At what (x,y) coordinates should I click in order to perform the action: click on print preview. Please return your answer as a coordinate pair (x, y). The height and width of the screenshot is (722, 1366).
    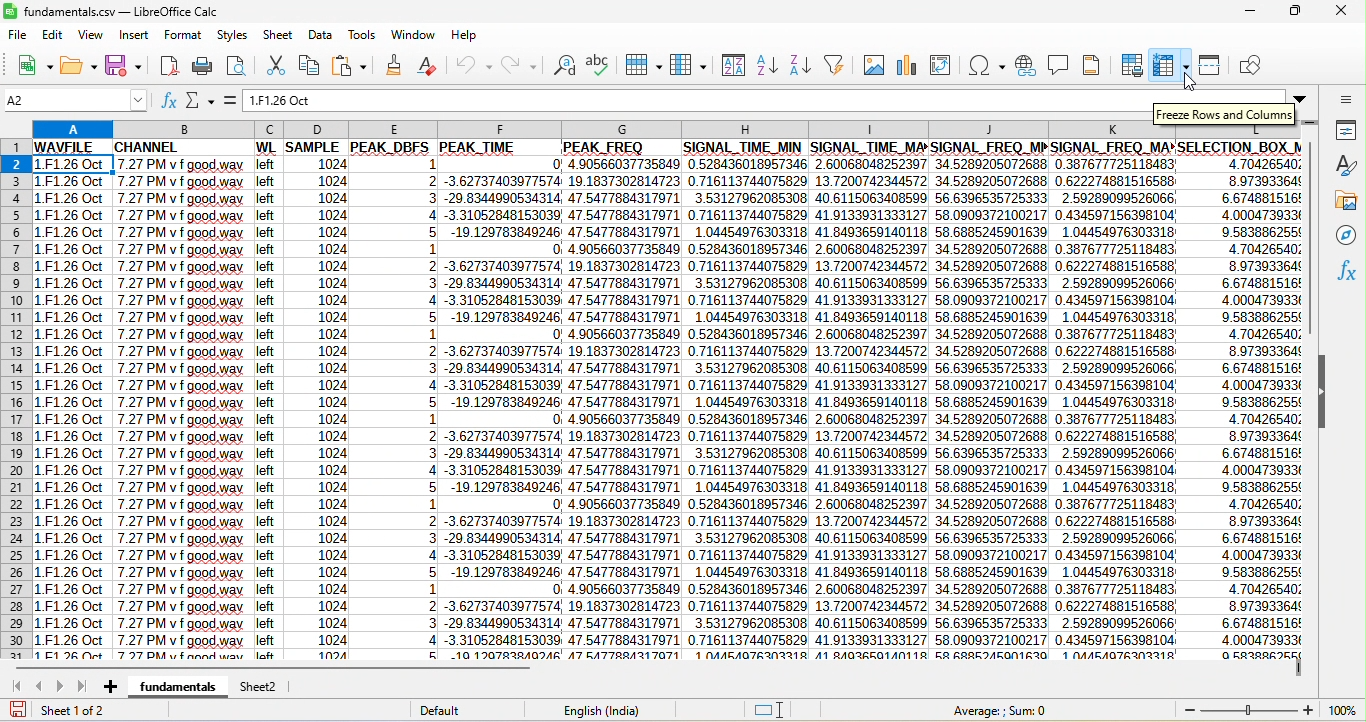
    Looking at the image, I should click on (238, 65).